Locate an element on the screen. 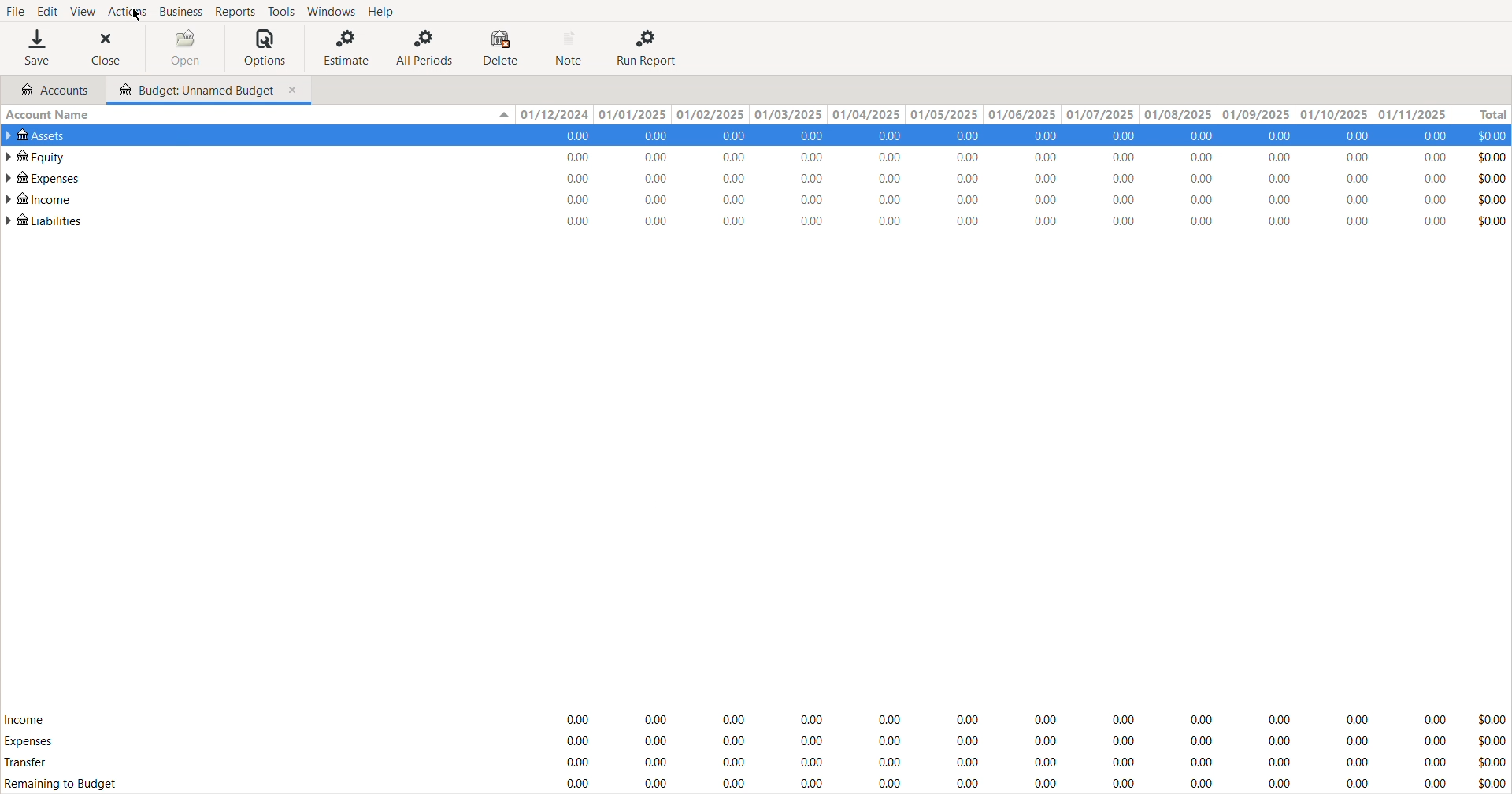  Run Report is located at coordinates (647, 47).